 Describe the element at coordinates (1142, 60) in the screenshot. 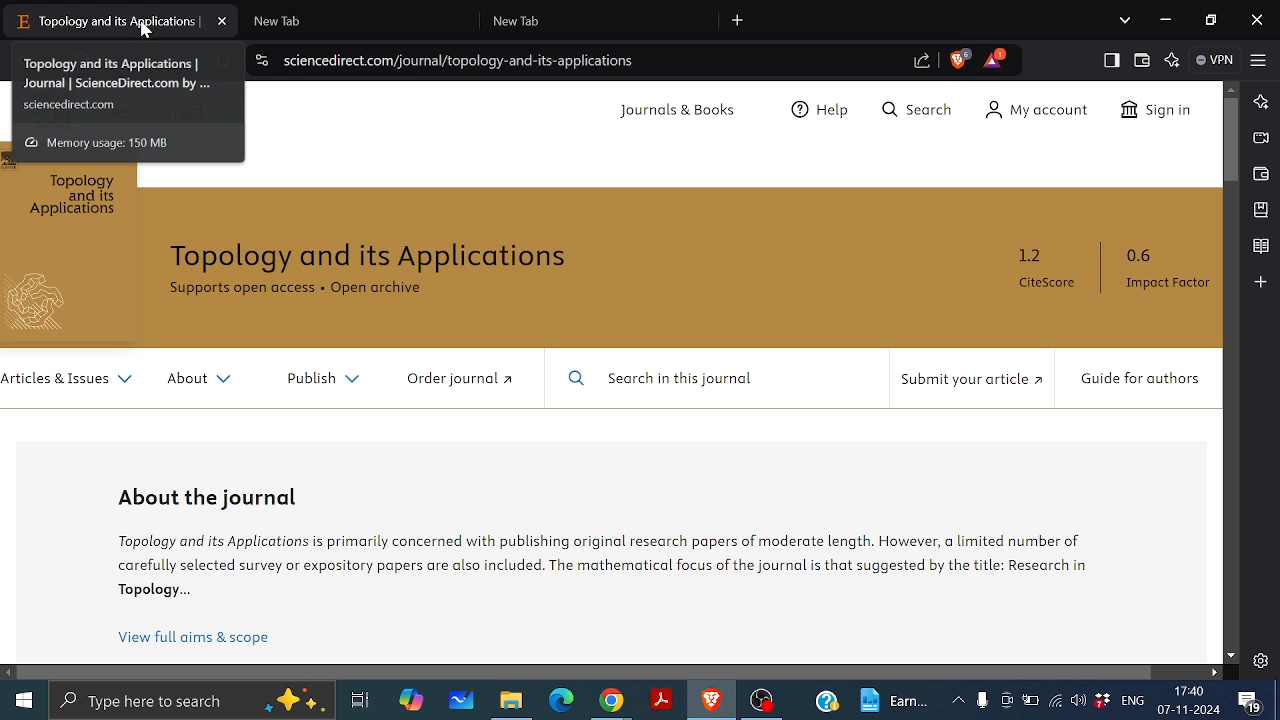

I see `Wallet` at that location.